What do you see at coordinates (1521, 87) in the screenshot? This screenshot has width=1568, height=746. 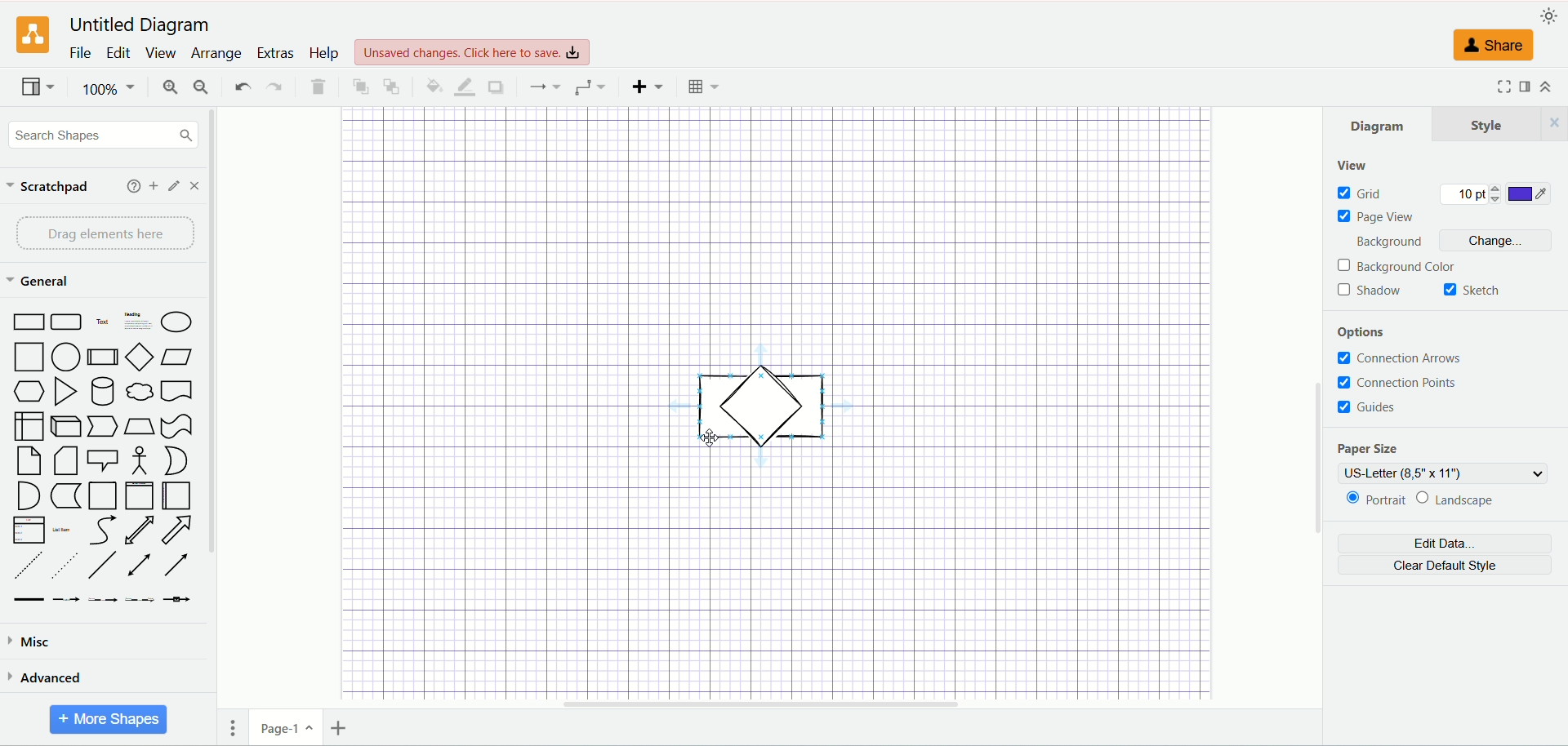 I see `format` at bounding box center [1521, 87].